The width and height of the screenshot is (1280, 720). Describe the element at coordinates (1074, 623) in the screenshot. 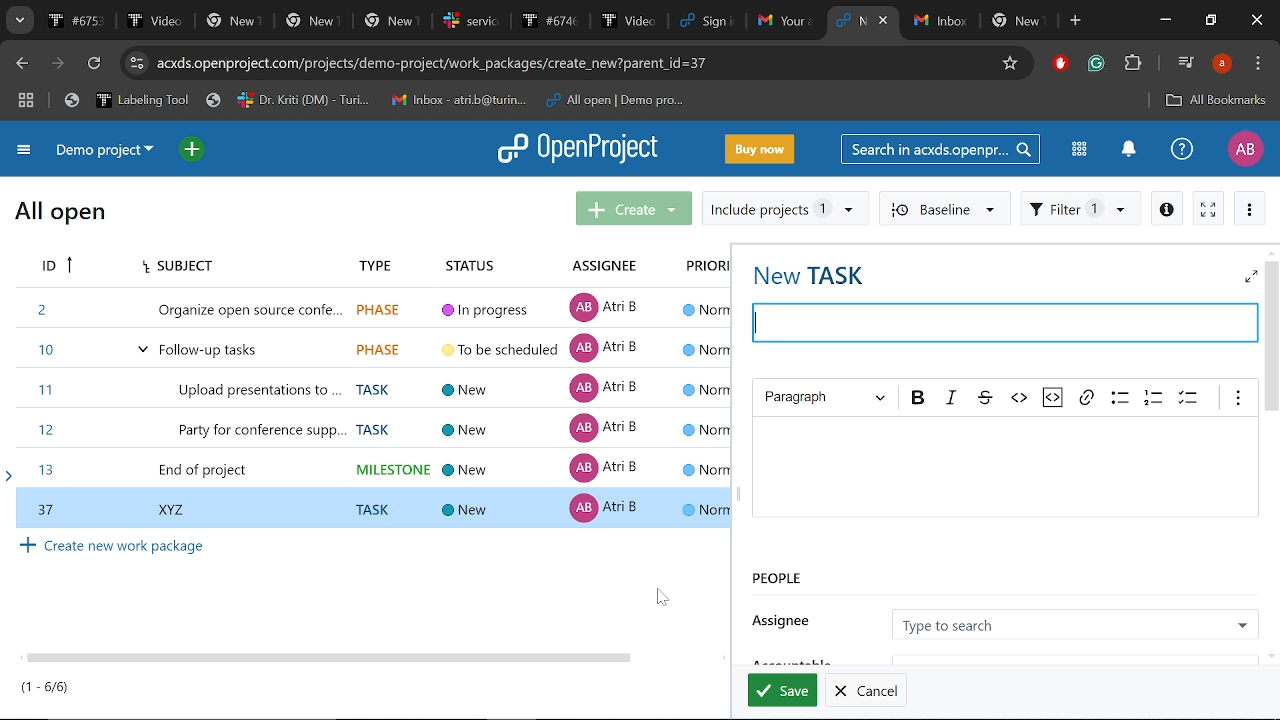

I see `Assignee` at that location.